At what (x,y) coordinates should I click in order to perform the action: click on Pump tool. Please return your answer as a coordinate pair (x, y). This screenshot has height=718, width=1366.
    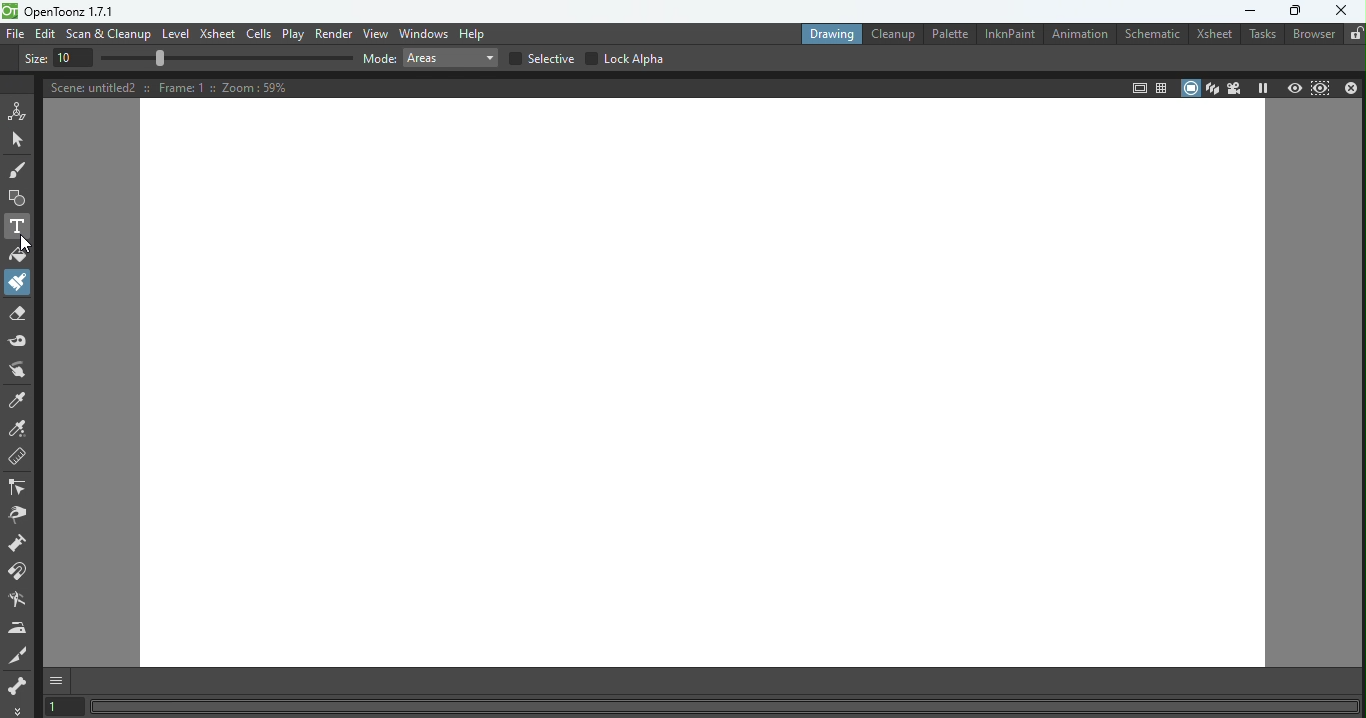
    Looking at the image, I should click on (23, 543).